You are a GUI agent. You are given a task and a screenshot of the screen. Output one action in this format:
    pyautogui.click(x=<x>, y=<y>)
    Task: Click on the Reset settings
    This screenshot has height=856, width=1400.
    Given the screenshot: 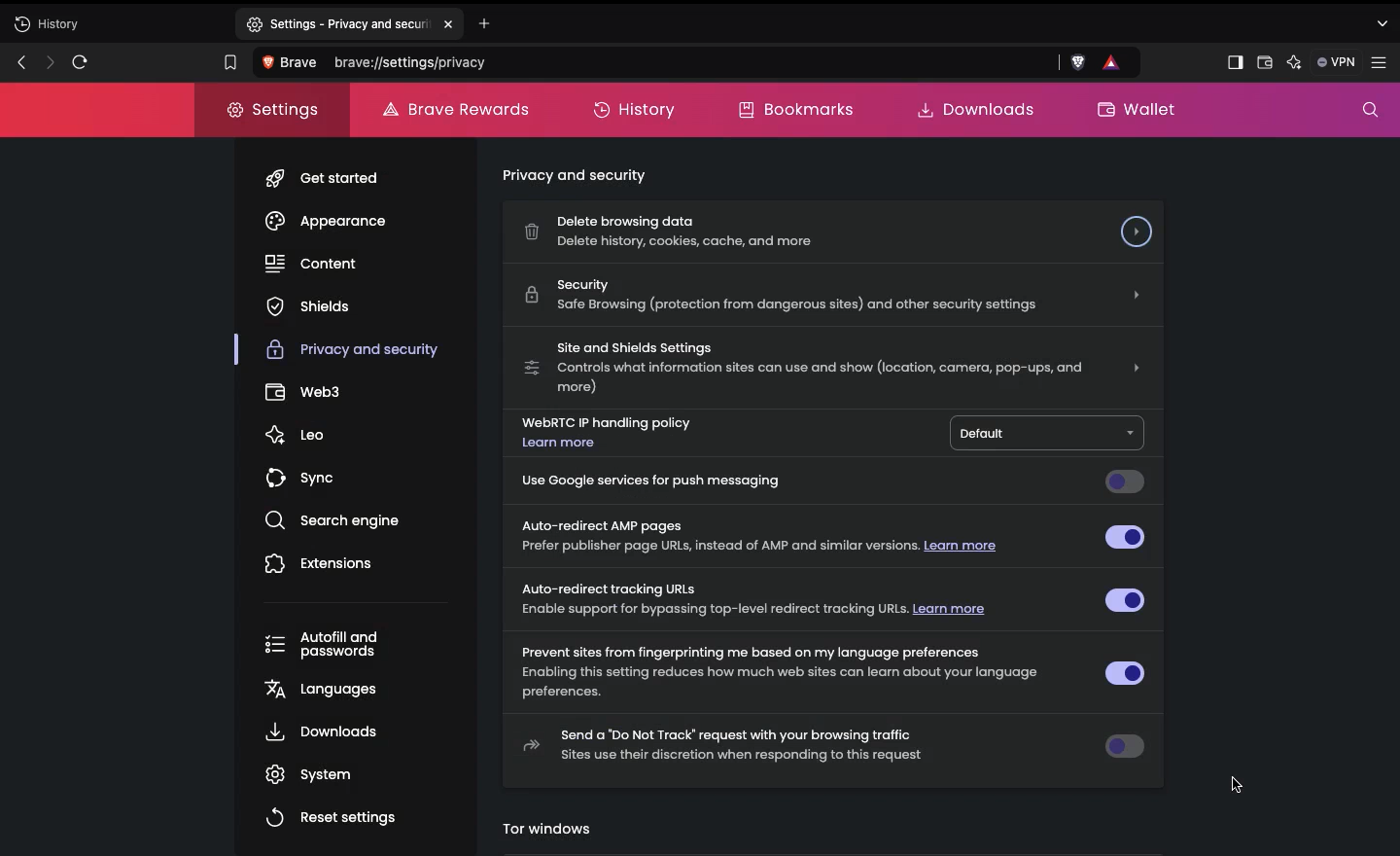 What is the action you would take?
    pyautogui.click(x=331, y=817)
    